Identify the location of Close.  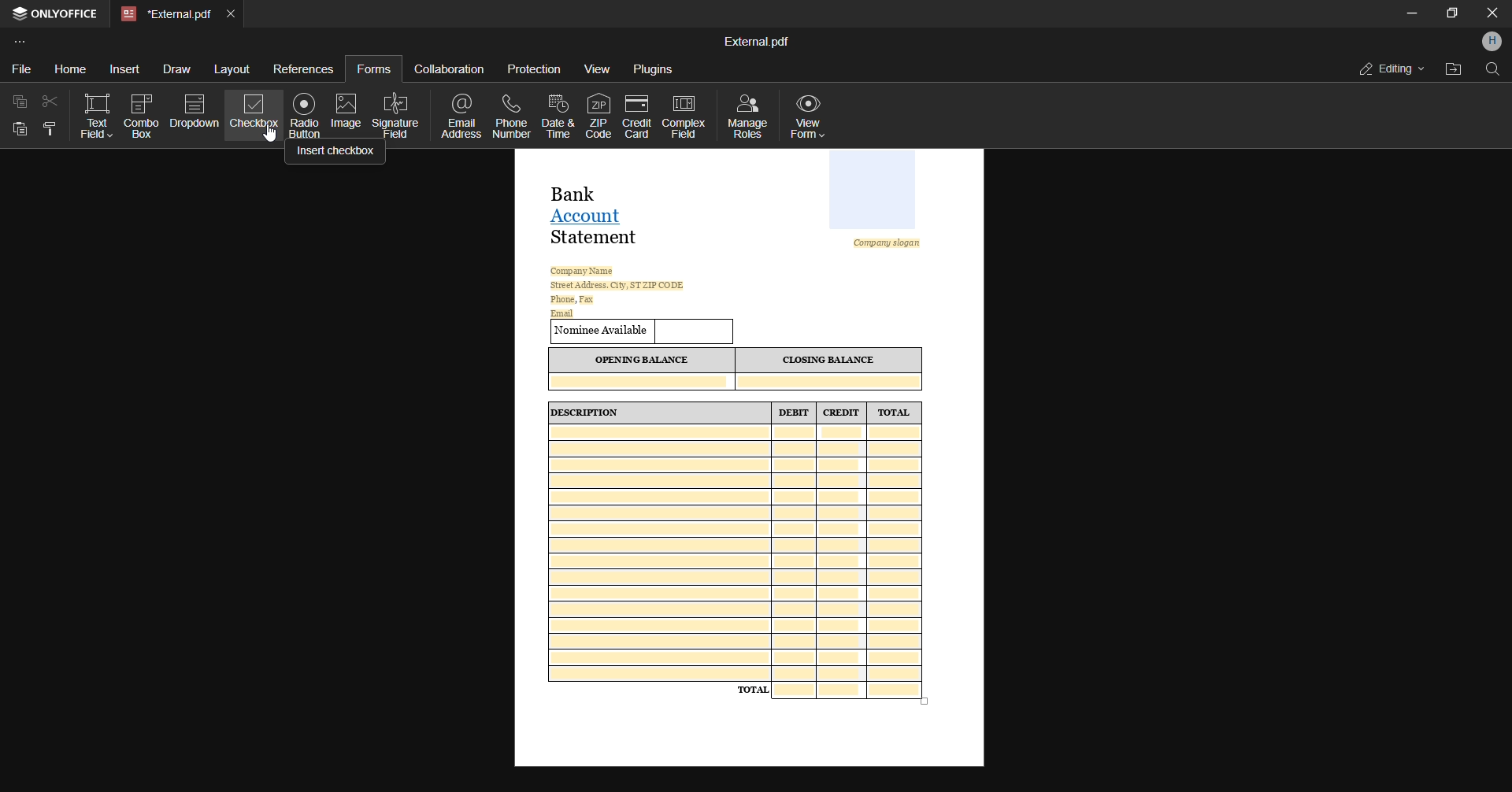
(1491, 13).